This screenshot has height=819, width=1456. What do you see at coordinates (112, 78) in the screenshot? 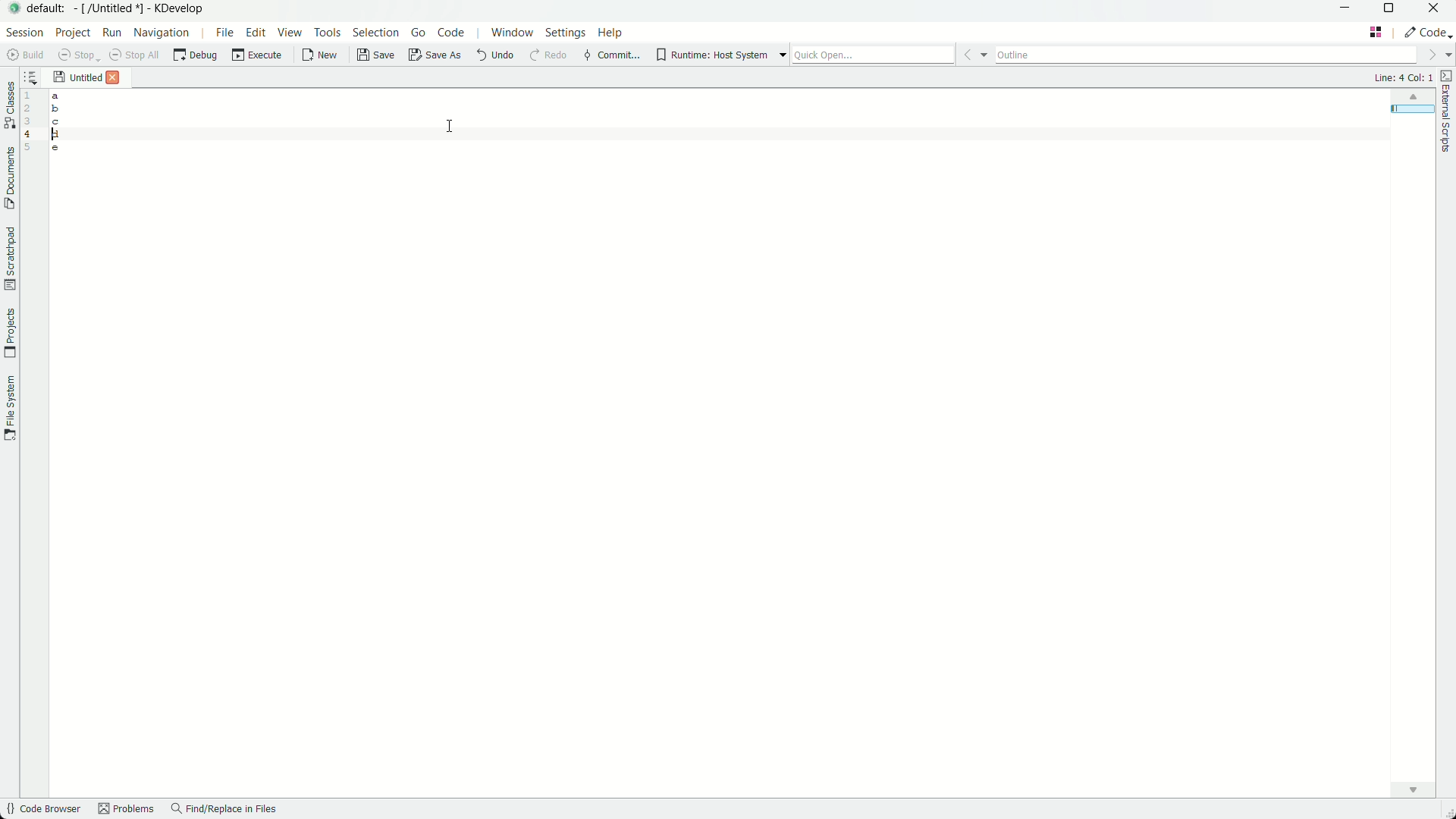
I see `close` at bounding box center [112, 78].